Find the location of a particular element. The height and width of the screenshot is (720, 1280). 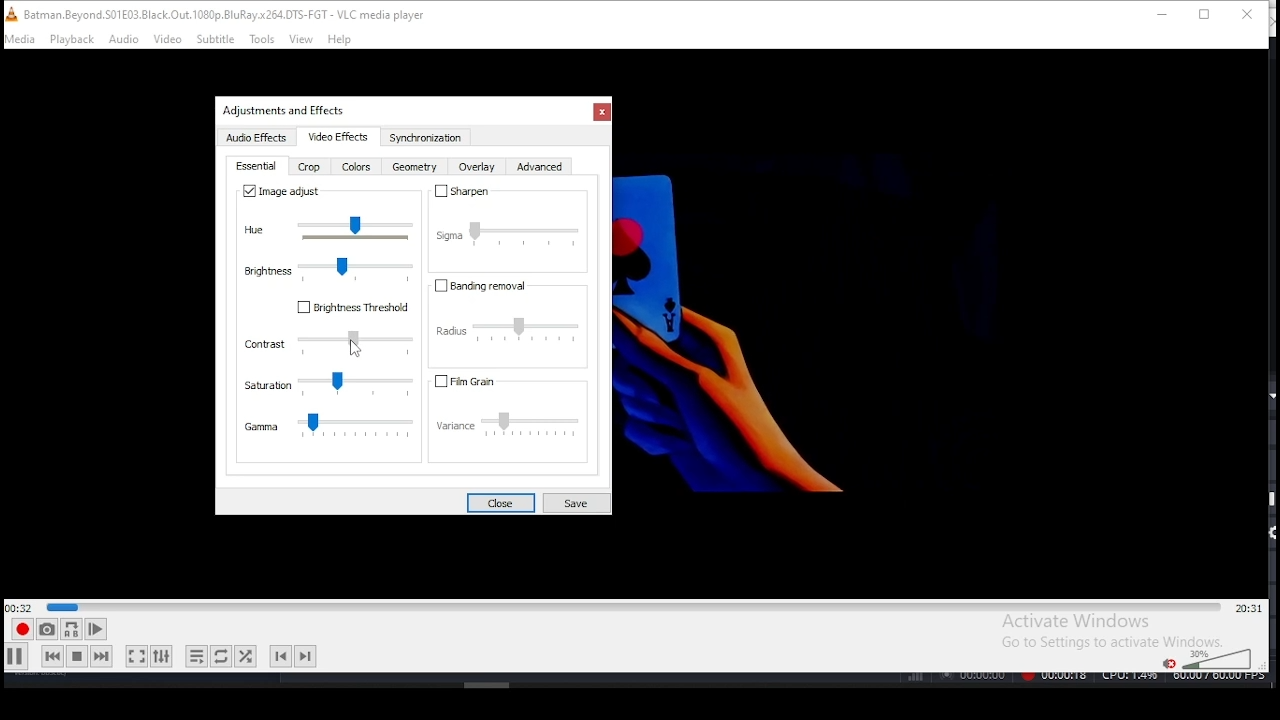

elapsed time is located at coordinates (20, 607).